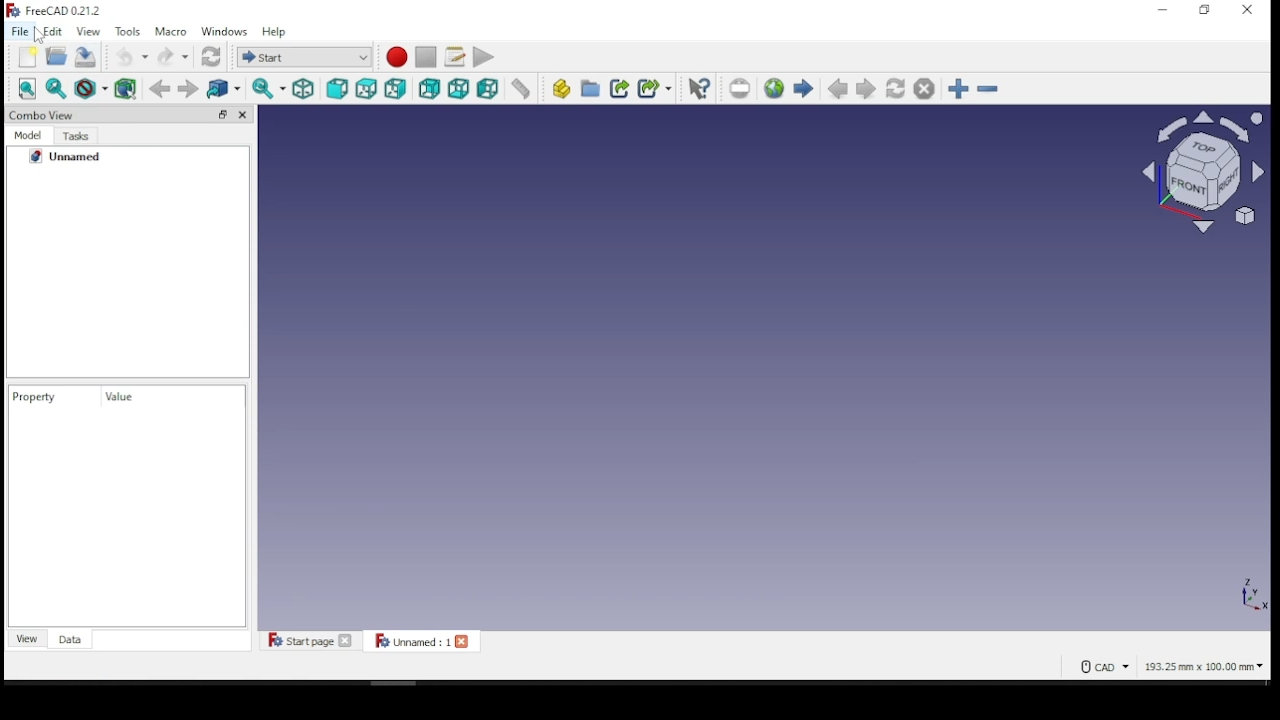 The height and width of the screenshot is (720, 1280). What do you see at coordinates (1160, 11) in the screenshot?
I see `minimize` at bounding box center [1160, 11].